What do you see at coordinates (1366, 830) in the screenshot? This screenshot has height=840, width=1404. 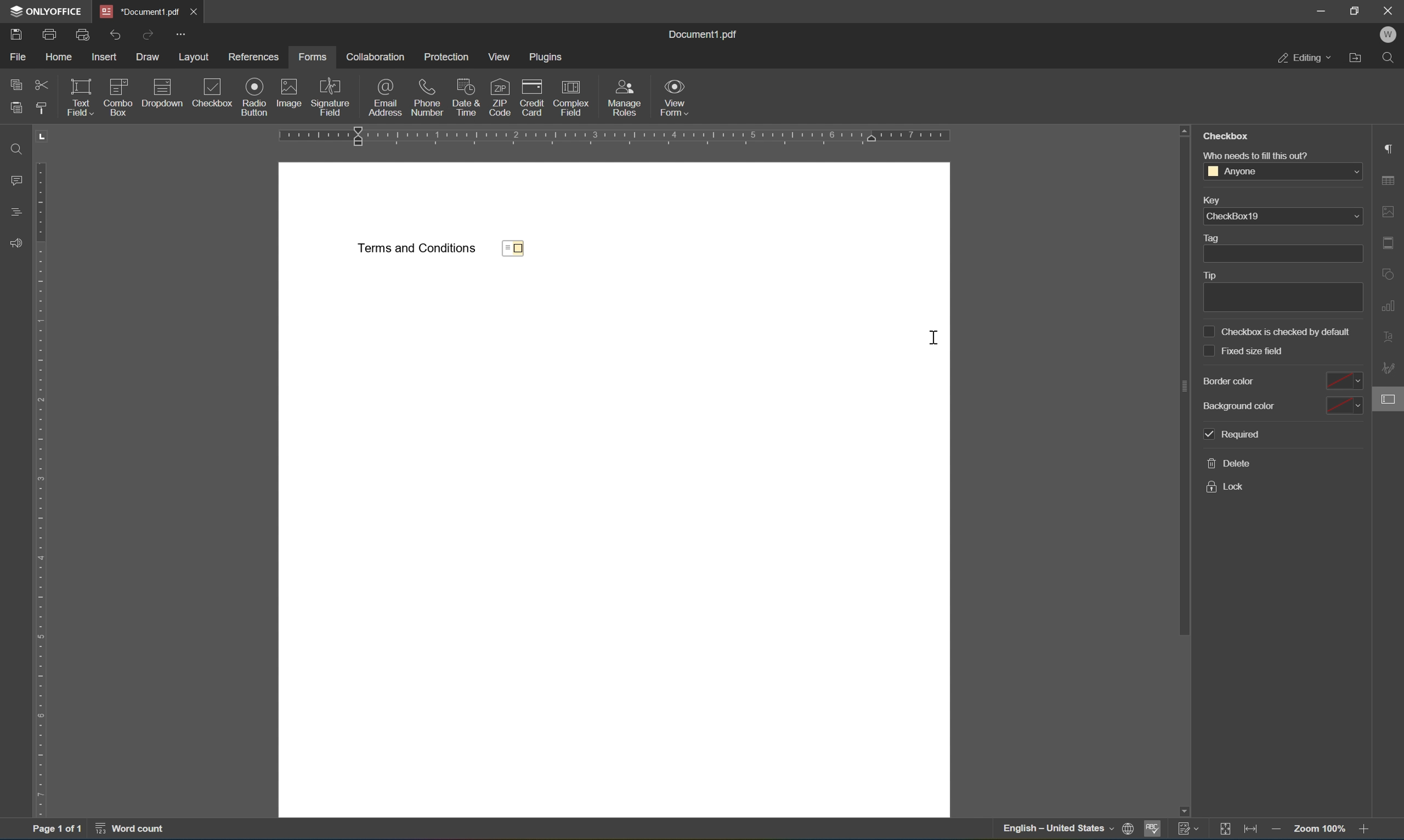 I see `zoom in` at bounding box center [1366, 830].